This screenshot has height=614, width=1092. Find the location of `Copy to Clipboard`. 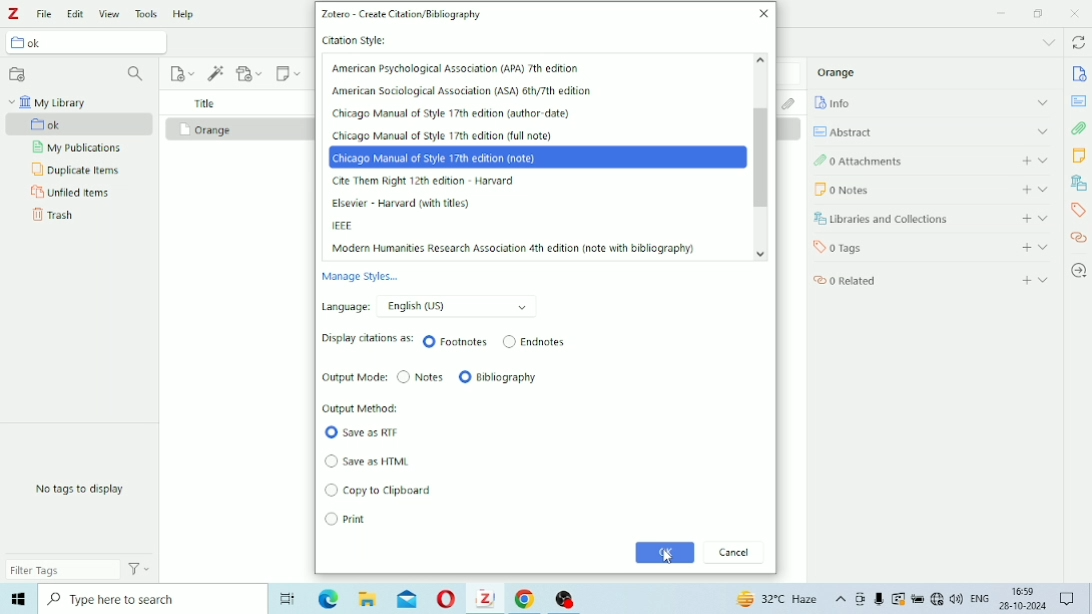

Copy to Clipboard is located at coordinates (380, 490).